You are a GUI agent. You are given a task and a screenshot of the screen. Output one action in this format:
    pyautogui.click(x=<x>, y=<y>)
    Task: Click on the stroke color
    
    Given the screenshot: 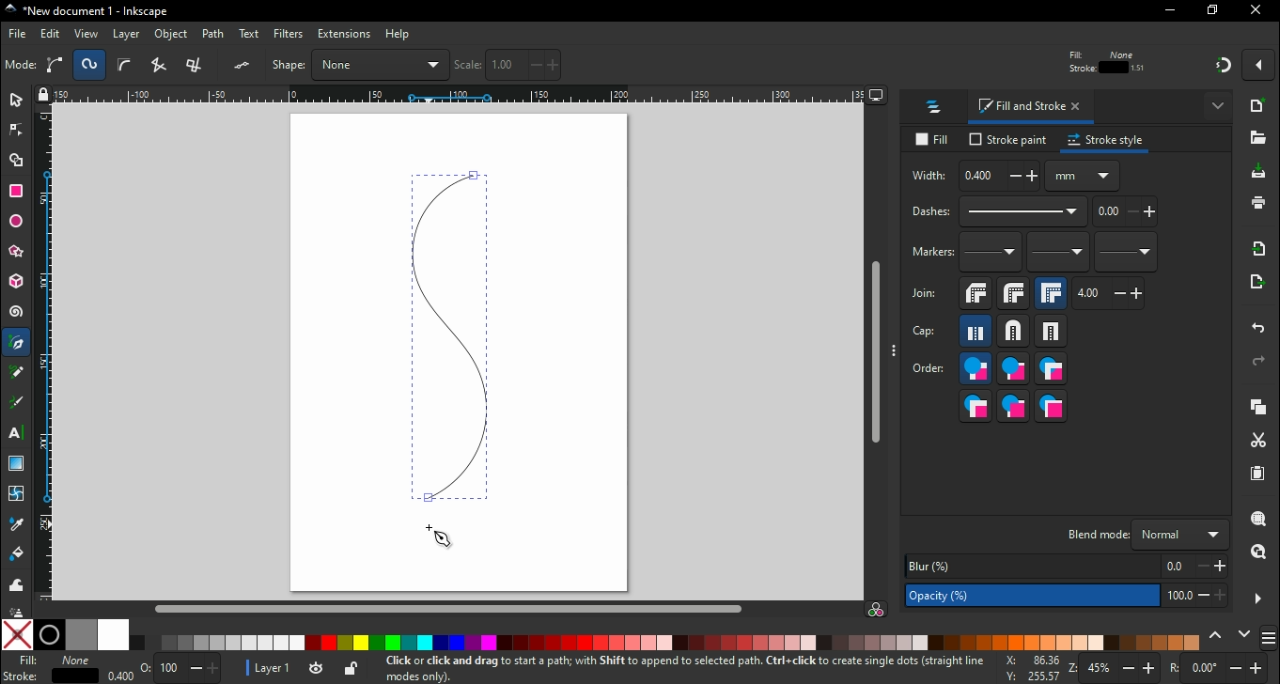 What is the action you would take?
    pyautogui.click(x=48, y=676)
    